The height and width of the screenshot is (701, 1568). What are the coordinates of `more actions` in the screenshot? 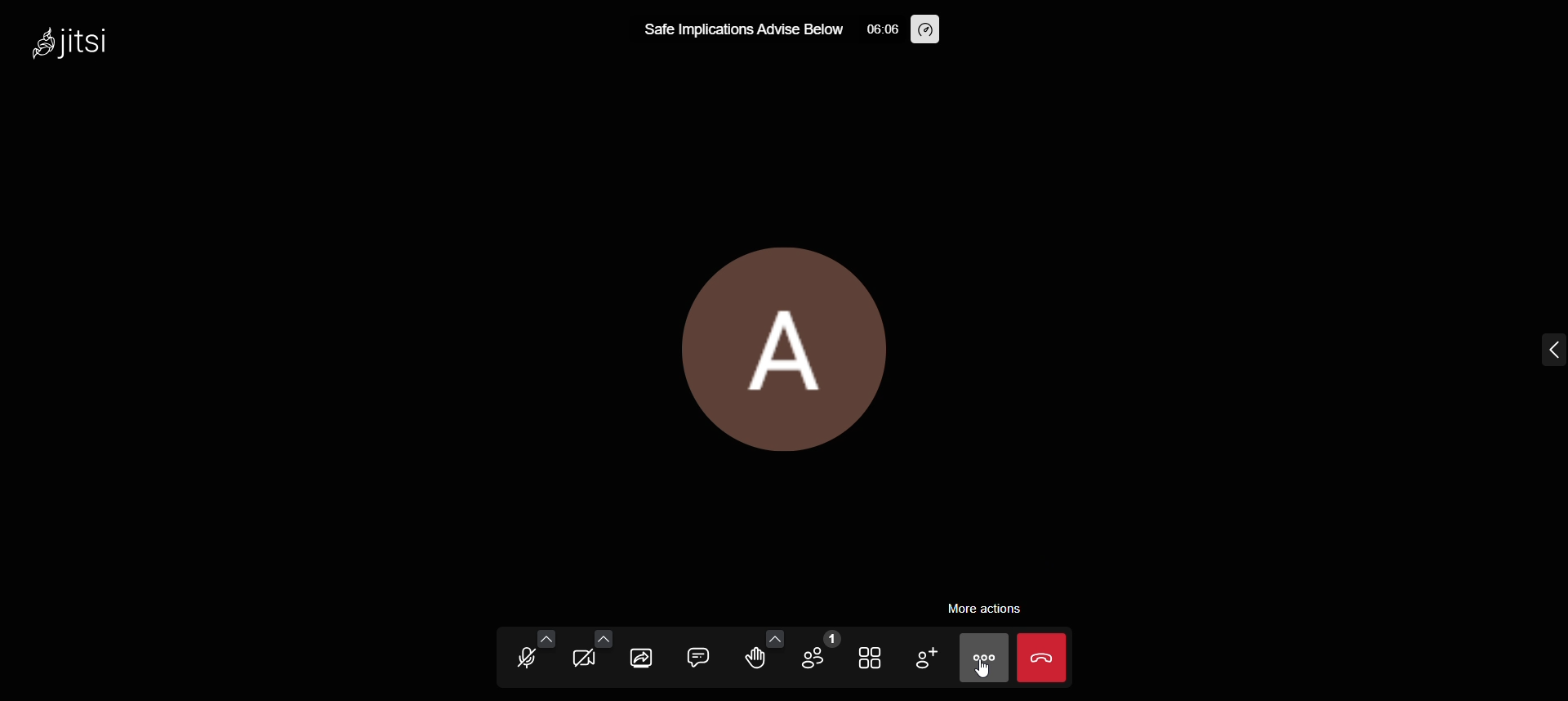 It's located at (981, 659).